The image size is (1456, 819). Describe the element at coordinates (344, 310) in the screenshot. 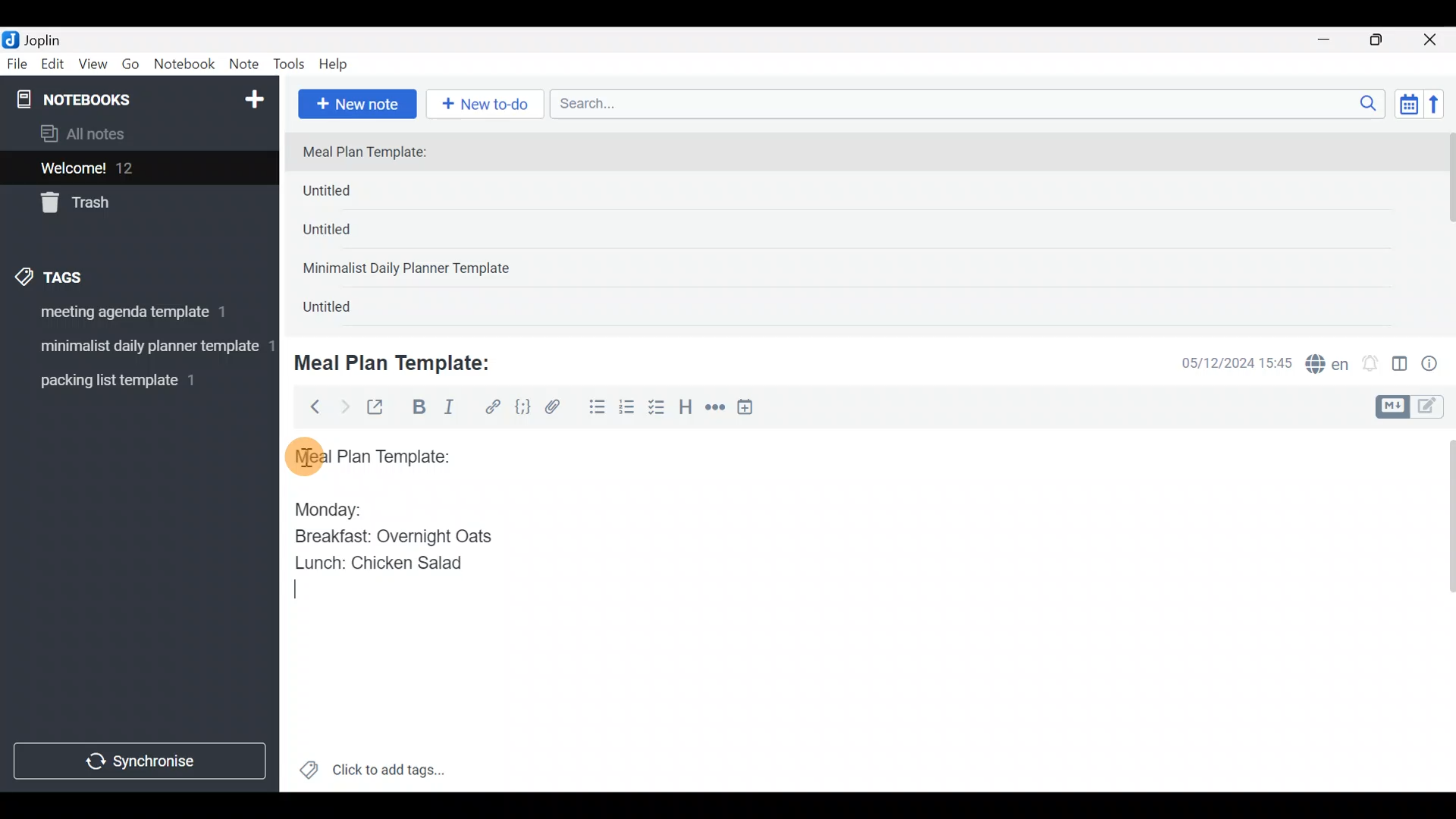

I see `Untitled` at that location.